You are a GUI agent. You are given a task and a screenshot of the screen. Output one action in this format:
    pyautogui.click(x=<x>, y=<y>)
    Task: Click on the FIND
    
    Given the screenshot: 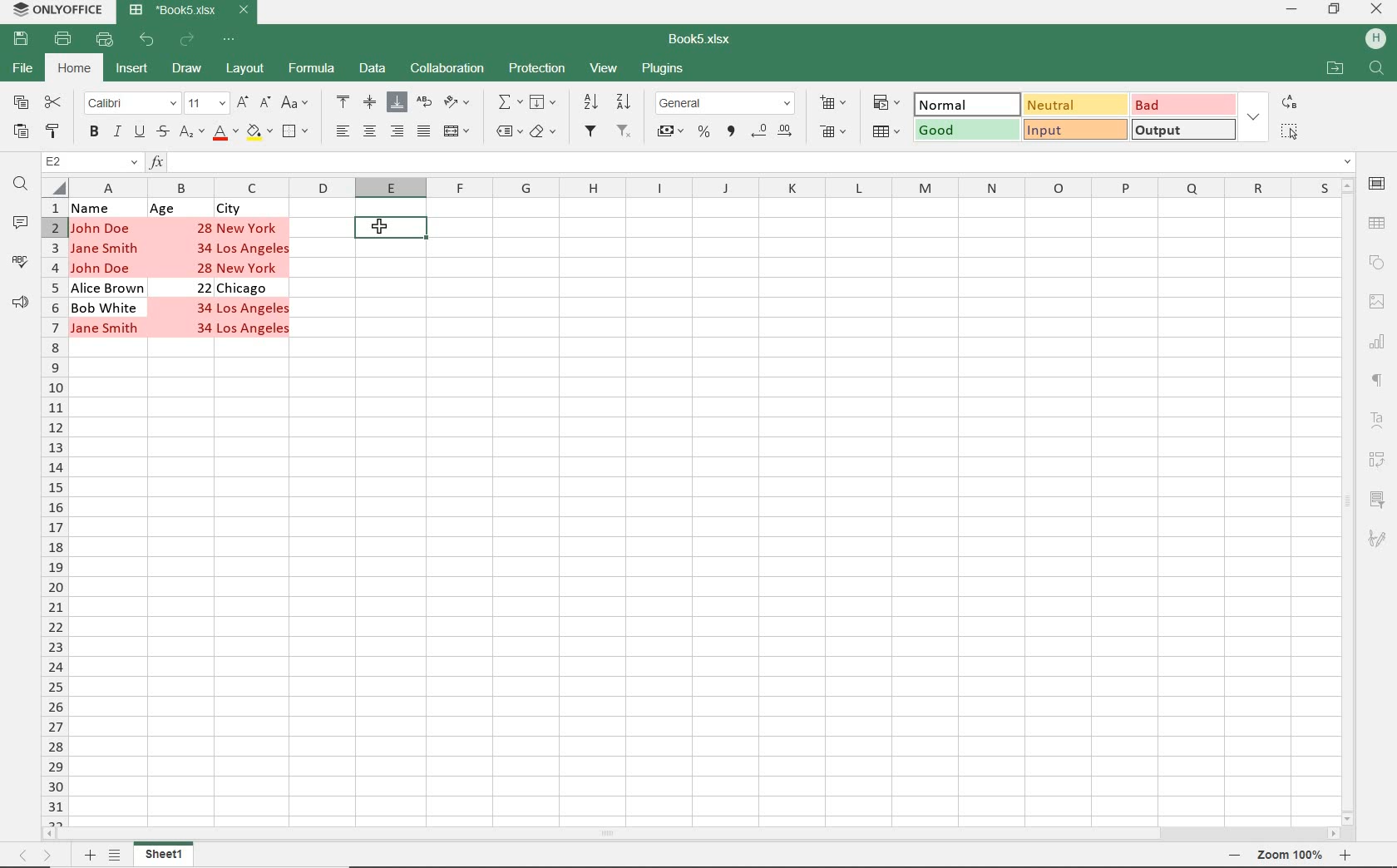 What is the action you would take?
    pyautogui.click(x=1377, y=72)
    